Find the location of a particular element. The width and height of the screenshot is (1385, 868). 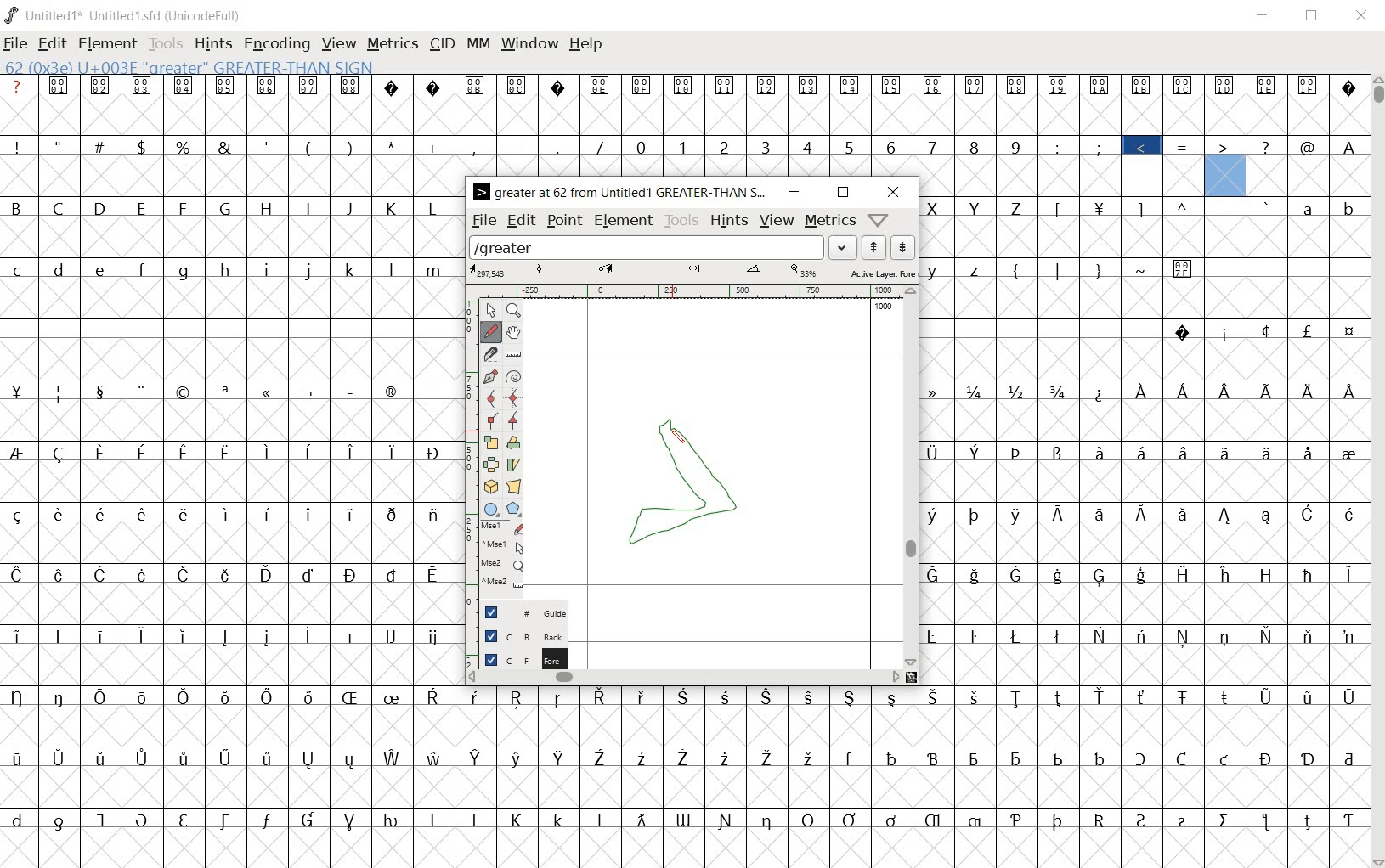

pen tool/CURSOR LOCATION is located at coordinates (676, 436).